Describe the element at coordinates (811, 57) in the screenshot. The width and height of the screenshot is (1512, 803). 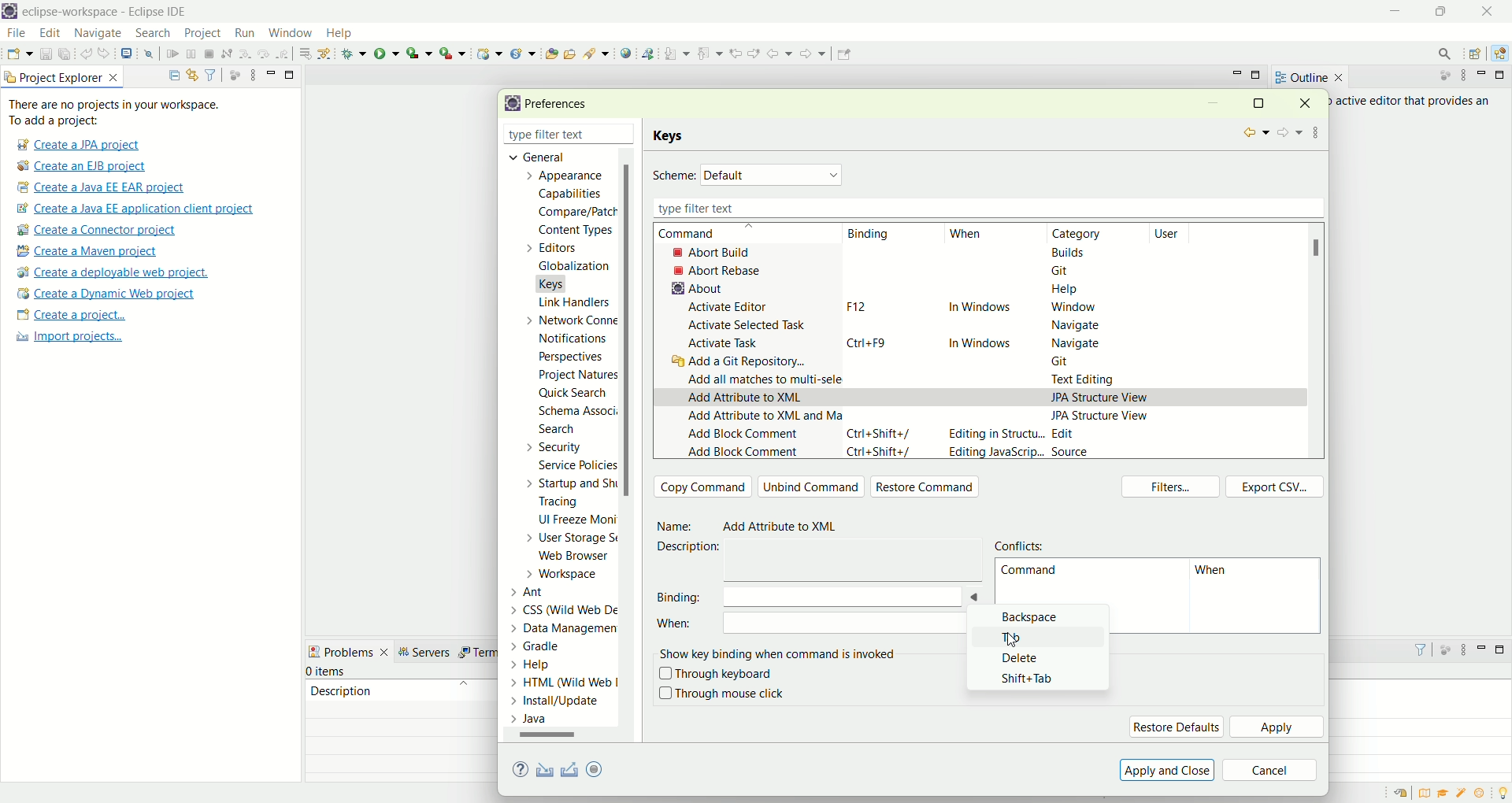
I see `forward` at that location.